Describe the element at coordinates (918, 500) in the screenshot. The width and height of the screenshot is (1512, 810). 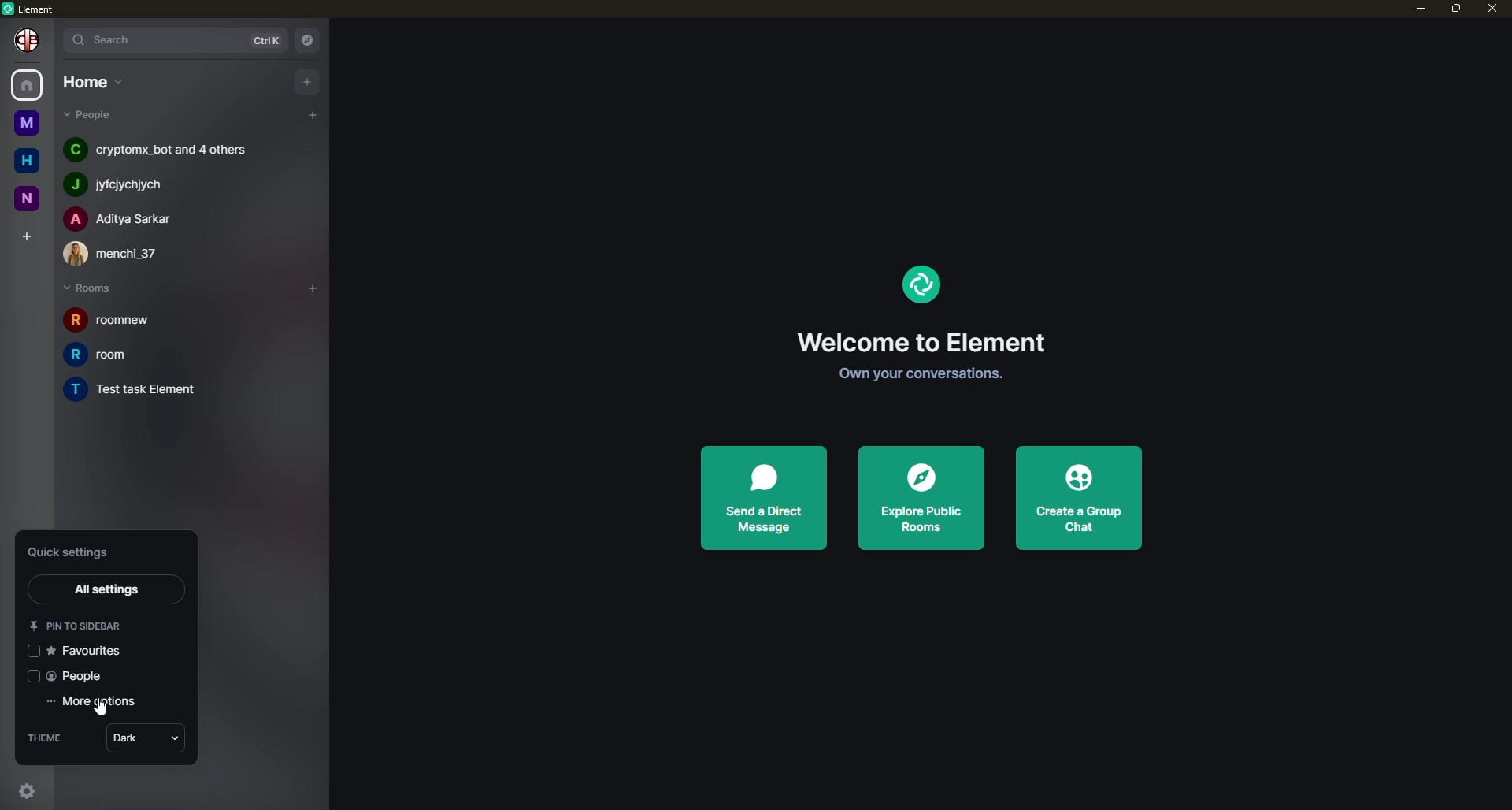
I see `explore public rooms` at that location.